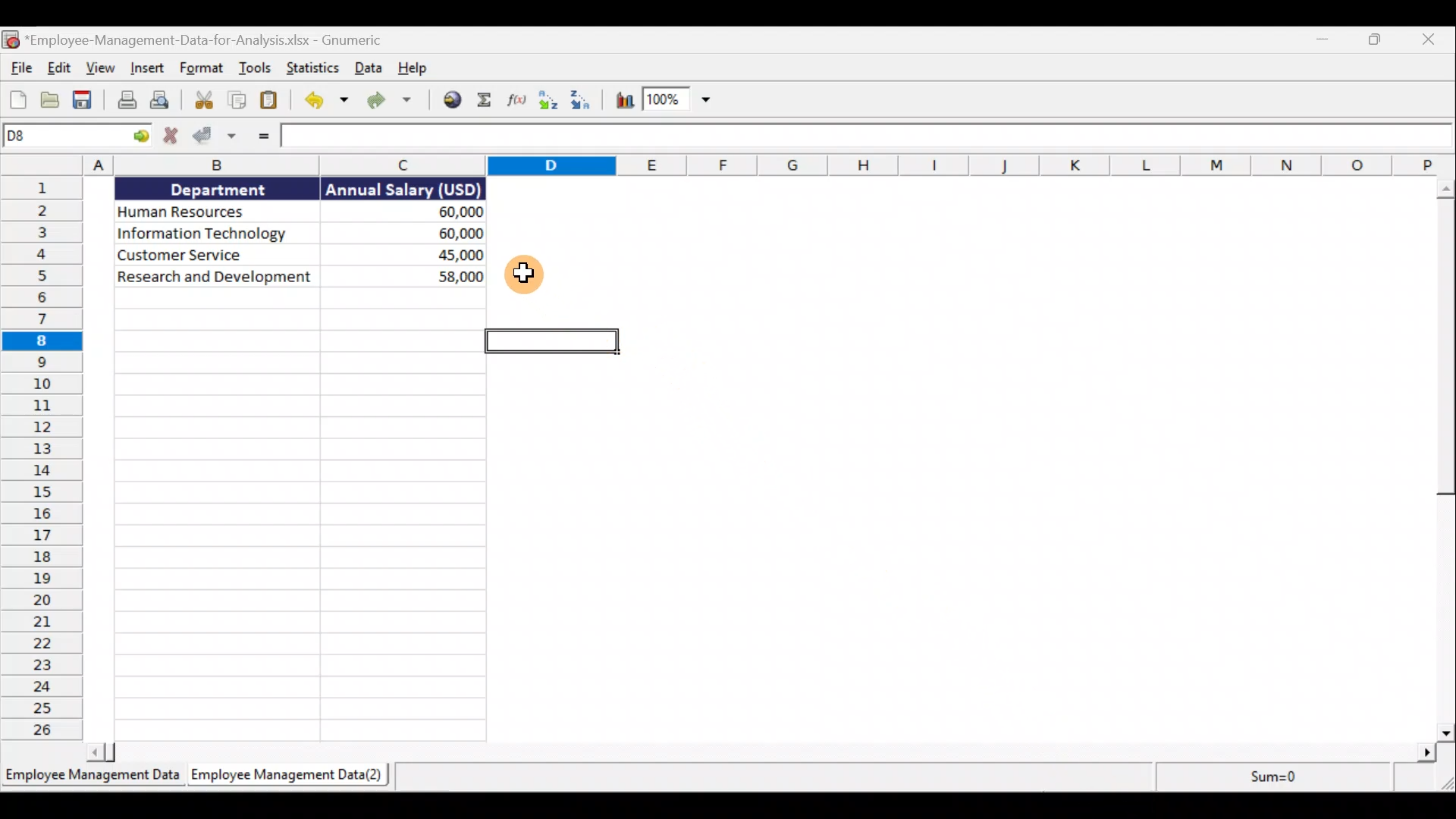  I want to click on File, so click(19, 67).